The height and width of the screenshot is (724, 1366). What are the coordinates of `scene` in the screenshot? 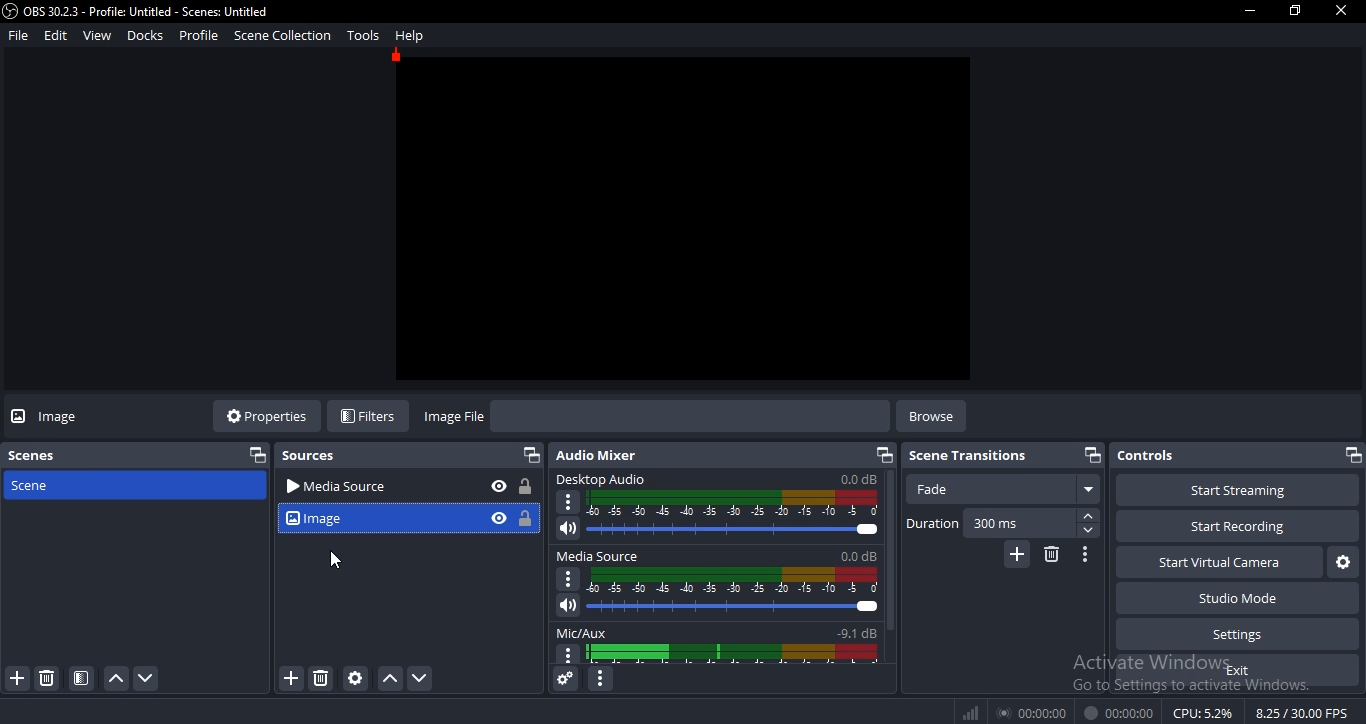 It's located at (33, 455).